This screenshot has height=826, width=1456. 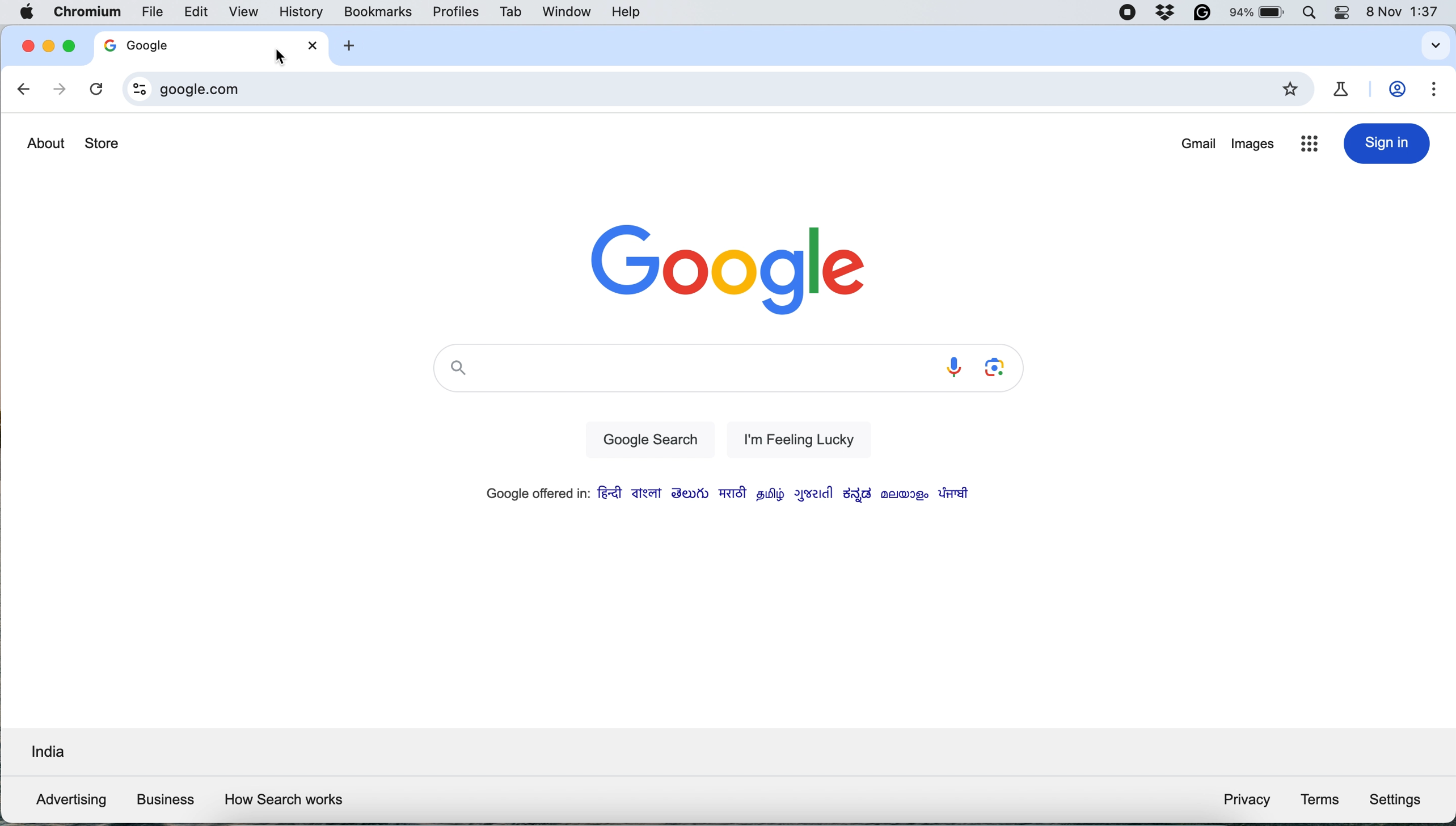 I want to click on view site information, so click(x=136, y=89).